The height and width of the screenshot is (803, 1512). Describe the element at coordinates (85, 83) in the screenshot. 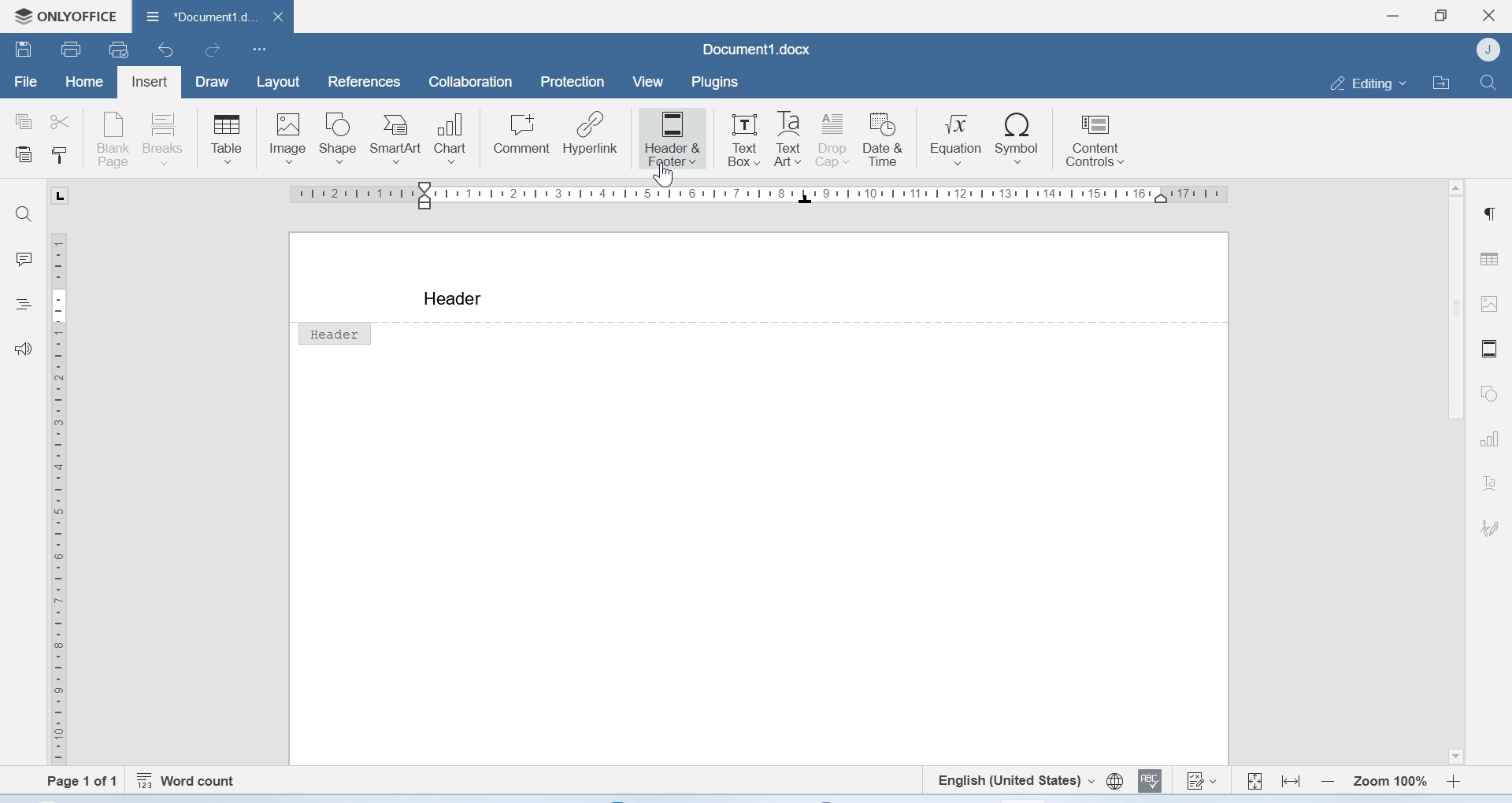

I see `Home` at that location.